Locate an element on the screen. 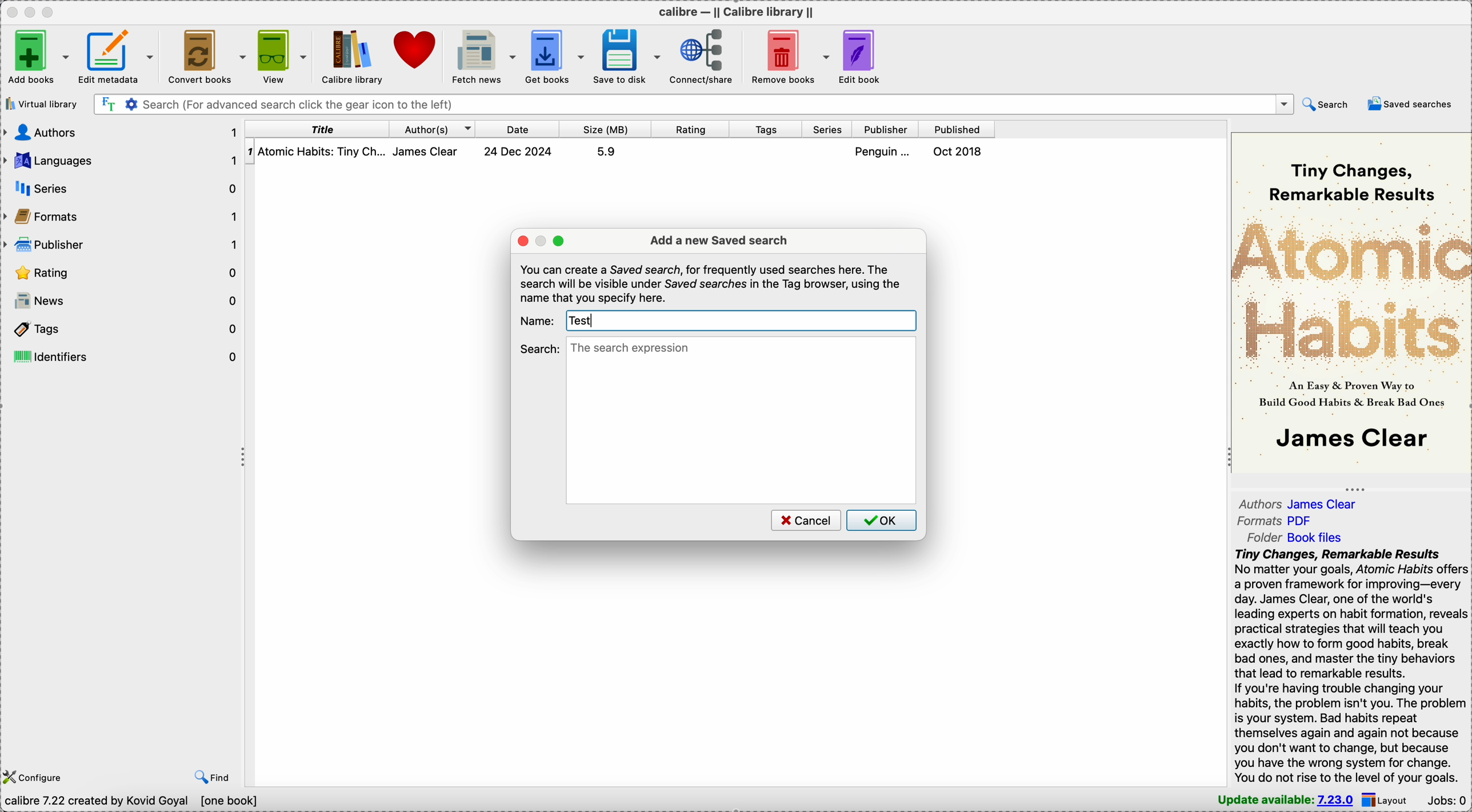  fetch news is located at coordinates (485, 55).